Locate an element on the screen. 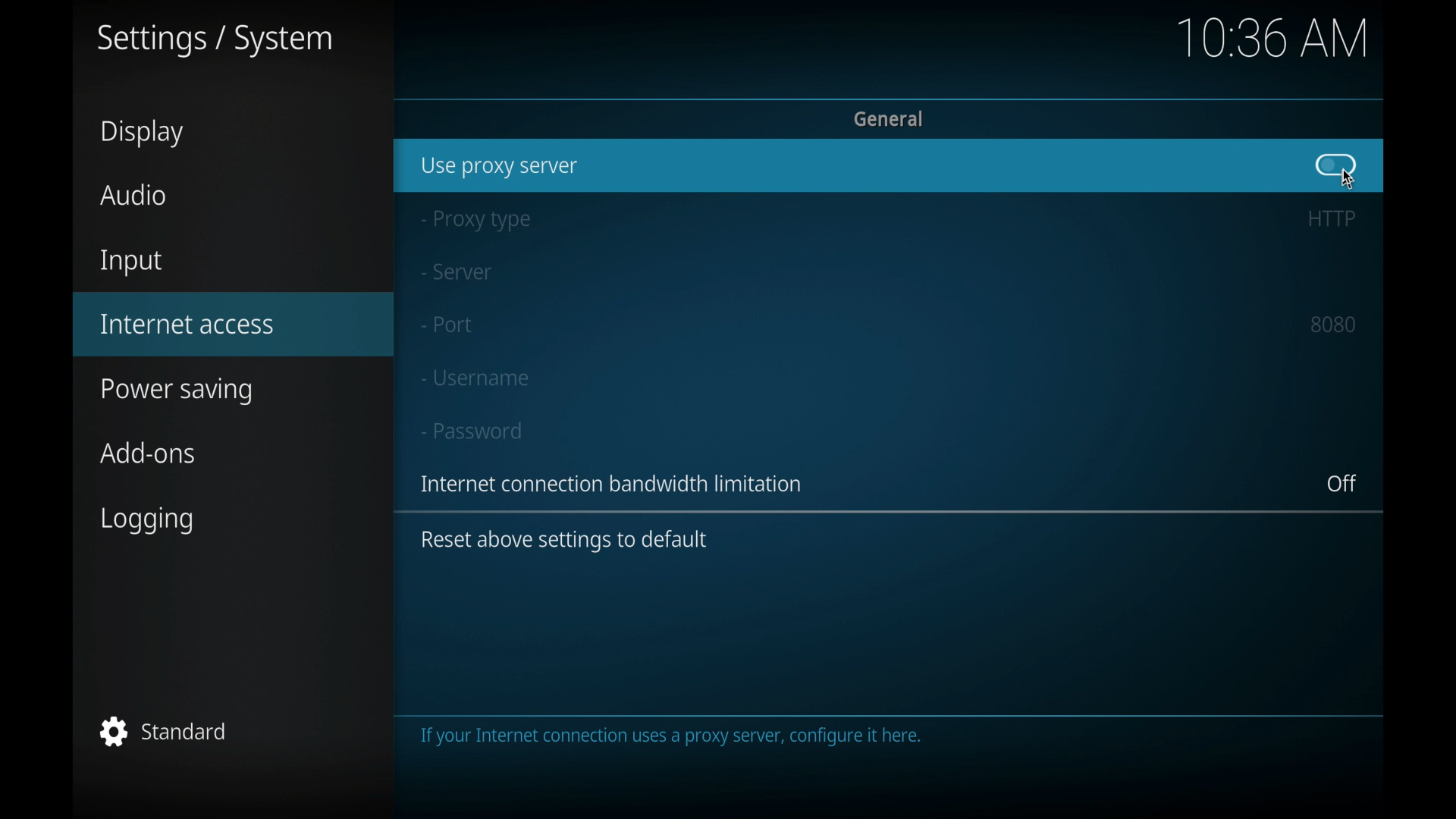 This screenshot has width=1456, height=819. input is located at coordinates (131, 263).